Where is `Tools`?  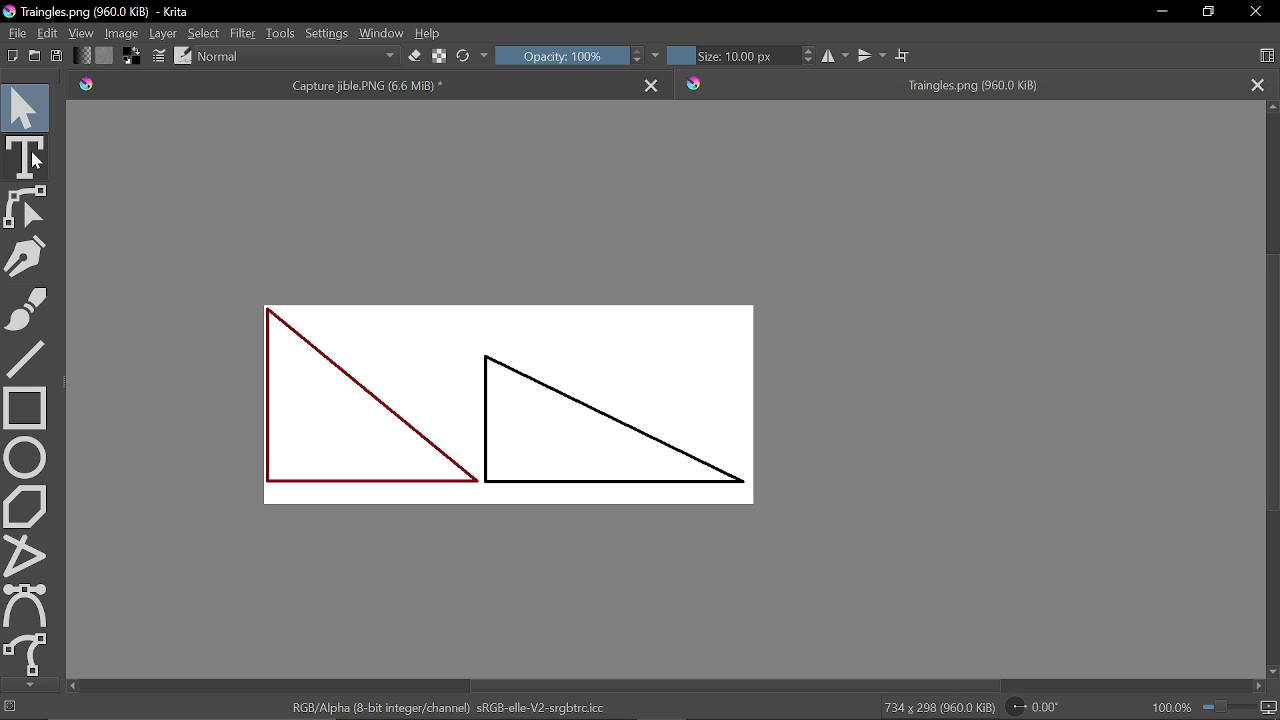 Tools is located at coordinates (279, 35).